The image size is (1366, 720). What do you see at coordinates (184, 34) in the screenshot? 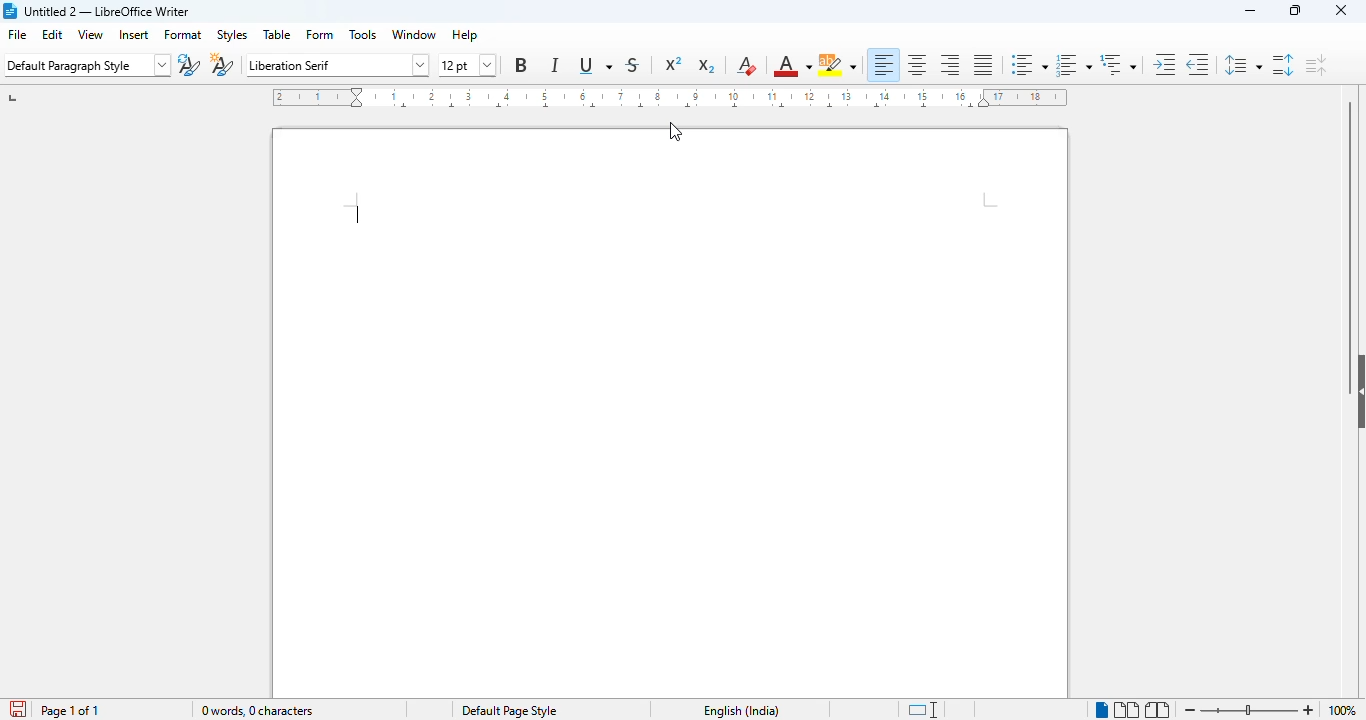
I see `format` at bounding box center [184, 34].